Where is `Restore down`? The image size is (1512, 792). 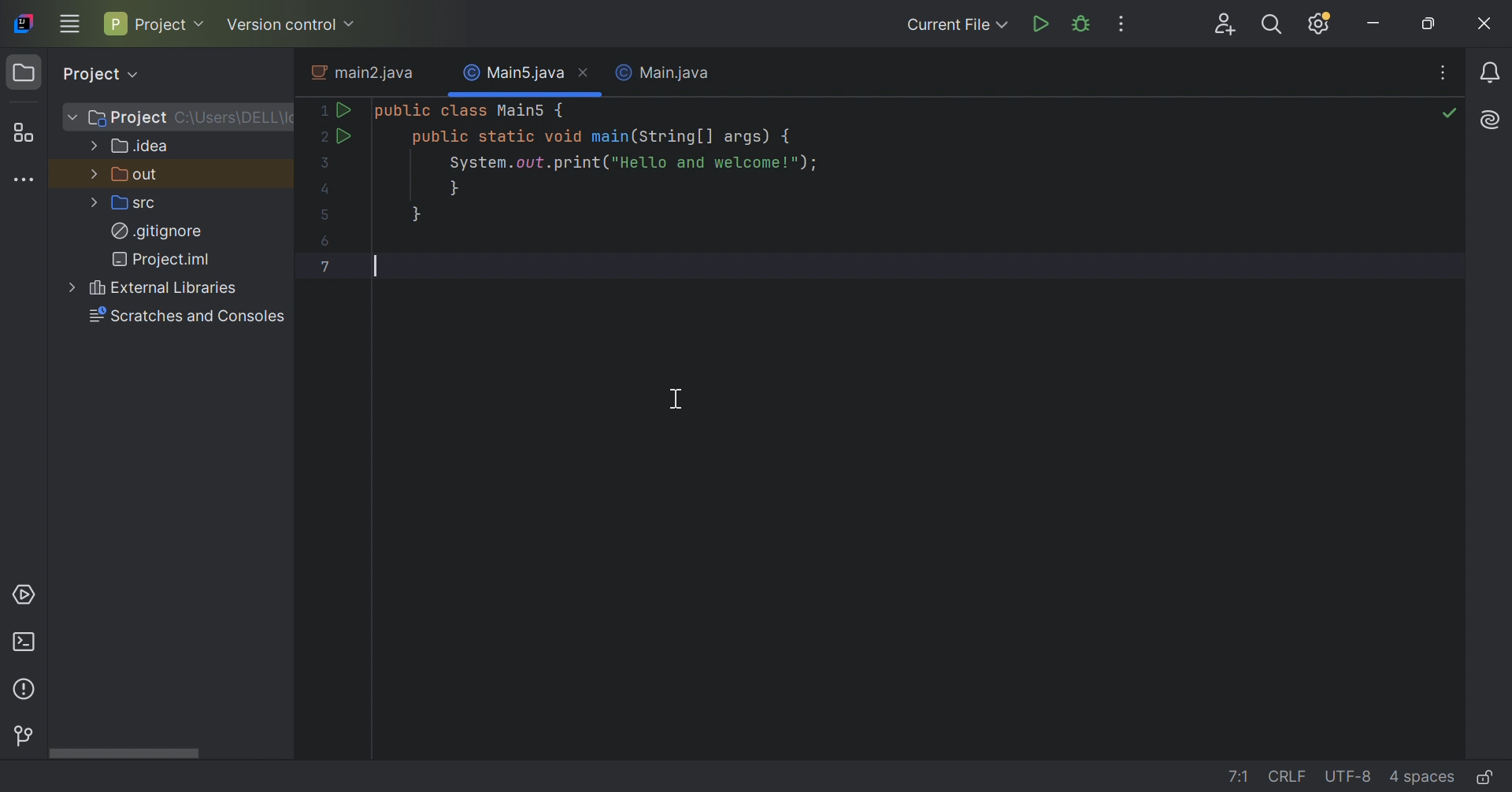 Restore down is located at coordinates (1435, 24).